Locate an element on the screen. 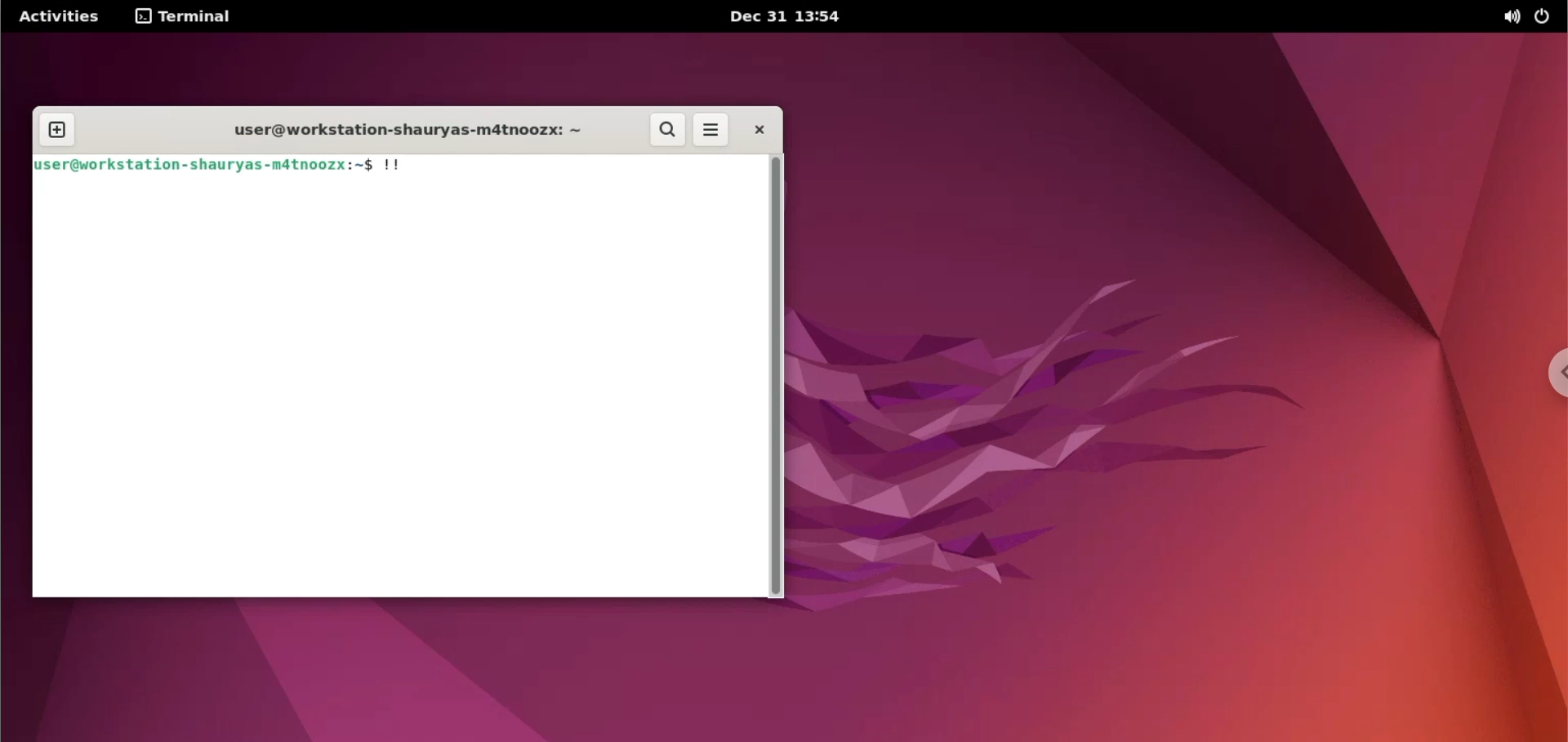 The height and width of the screenshot is (742, 1568). power options is located at coordinates (1546, 16).